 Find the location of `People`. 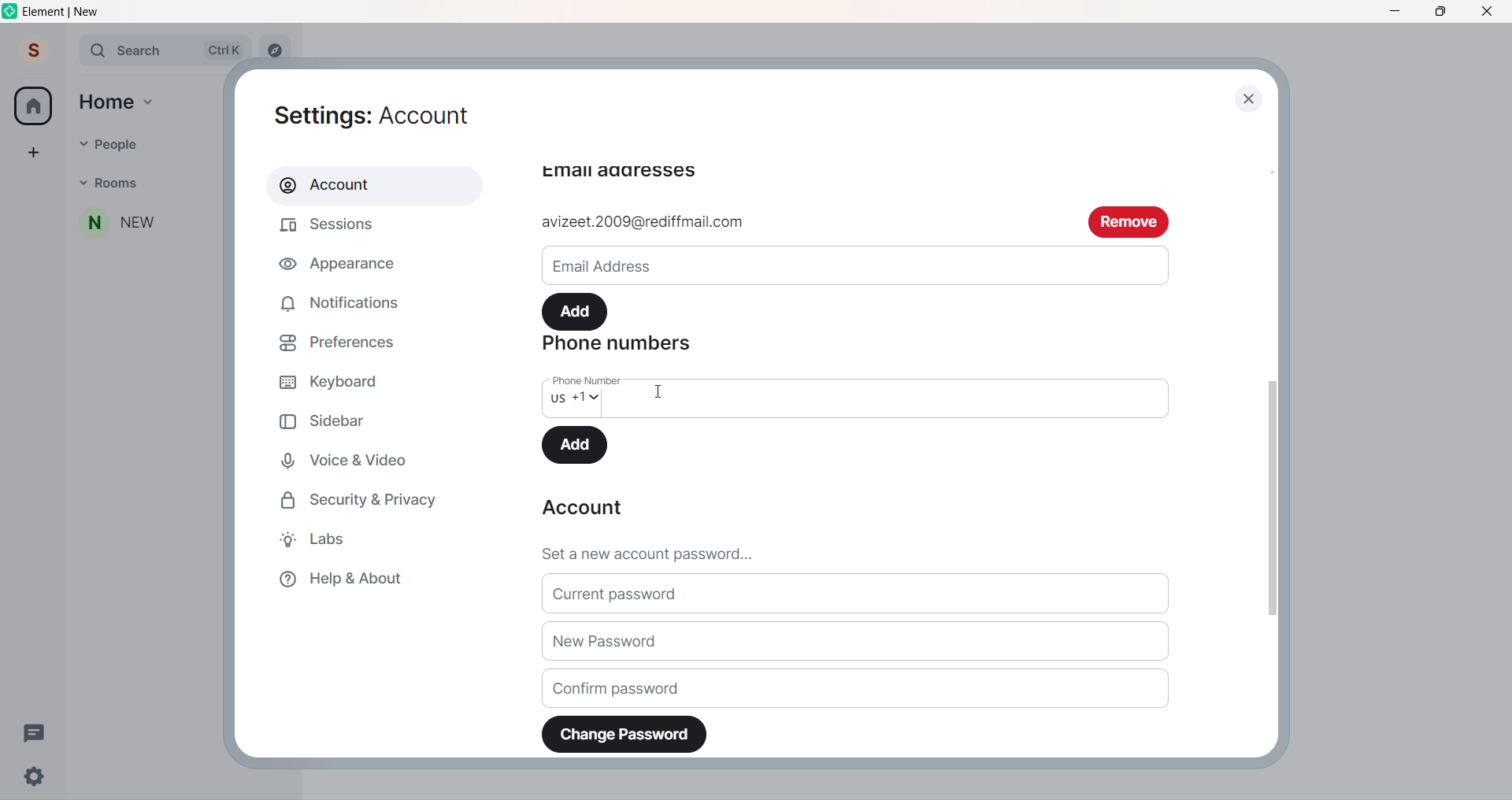

People is located at coordinates (154, 142).